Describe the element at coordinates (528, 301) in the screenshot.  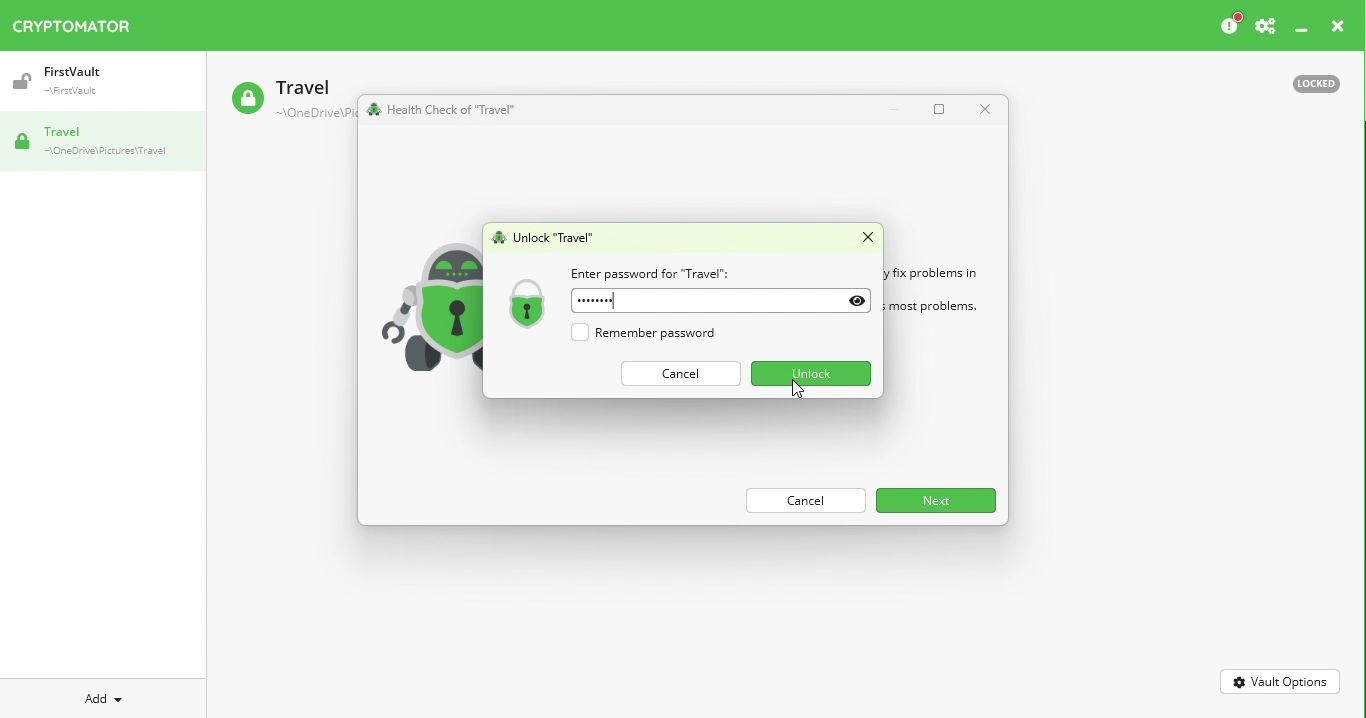
I see `locked padlock` at that location.